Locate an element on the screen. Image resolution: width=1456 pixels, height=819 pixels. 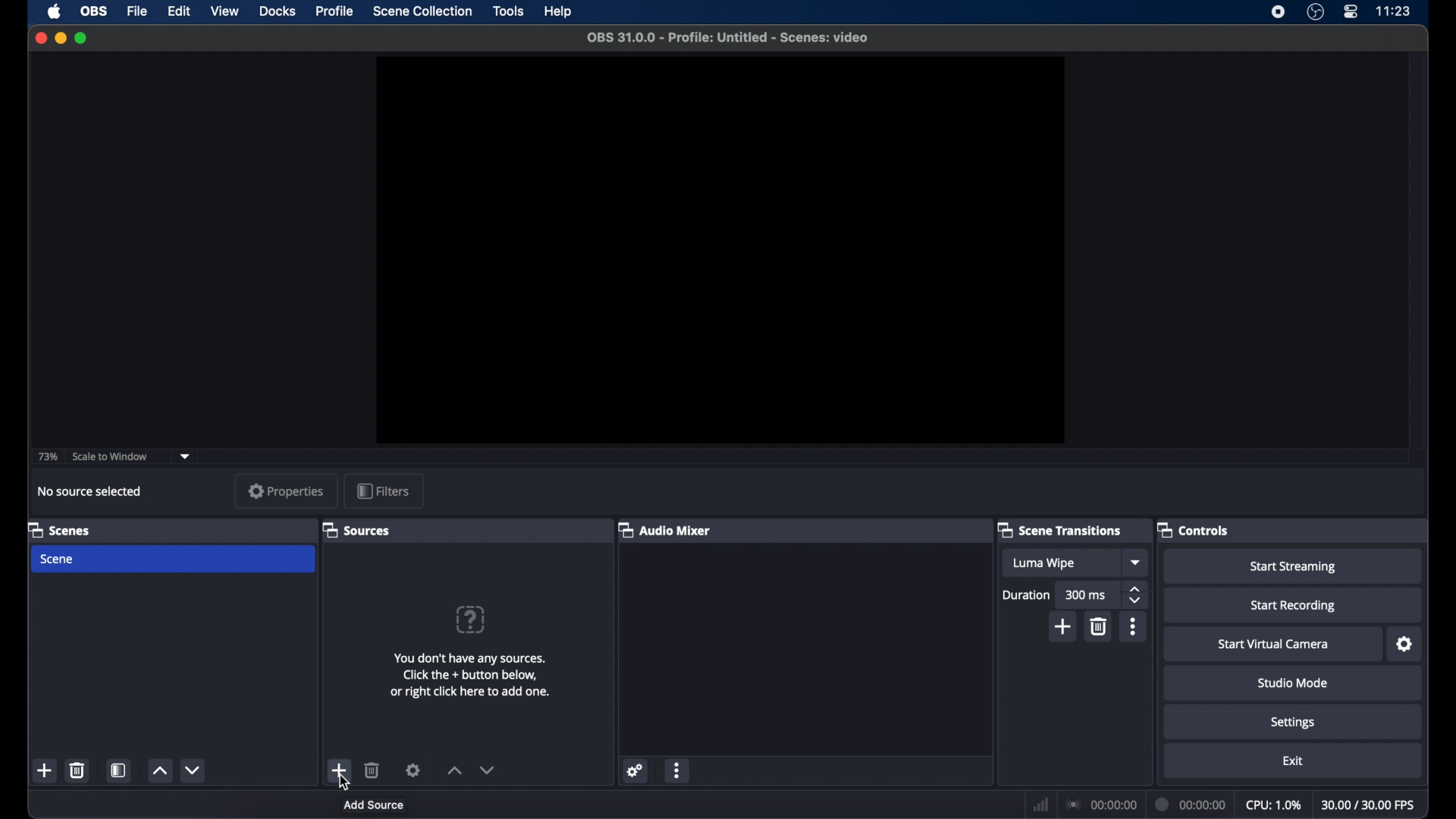
start recording is located at coordinates (1294, 606).